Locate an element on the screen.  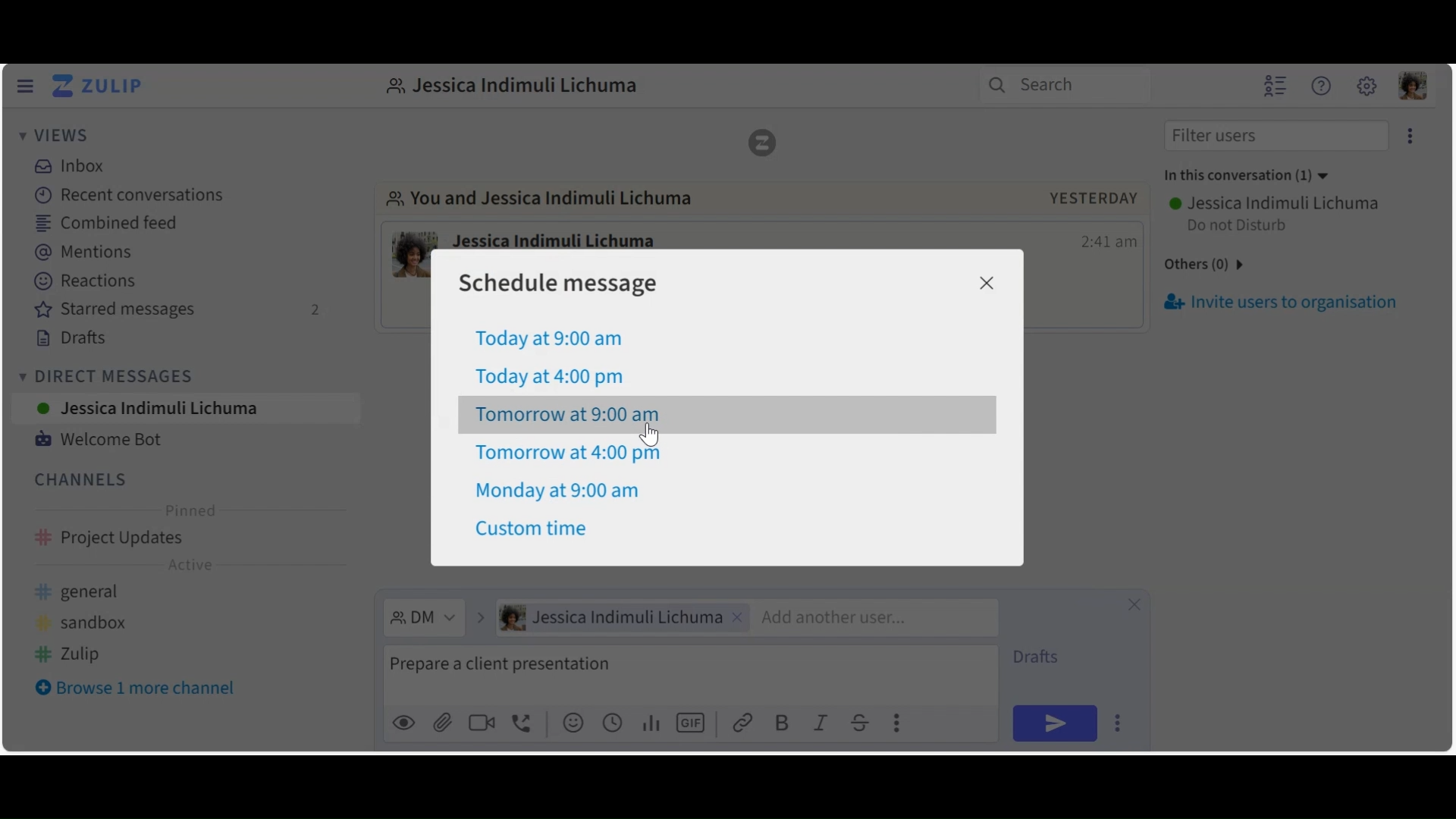
link is located at coordinates (745, 723).